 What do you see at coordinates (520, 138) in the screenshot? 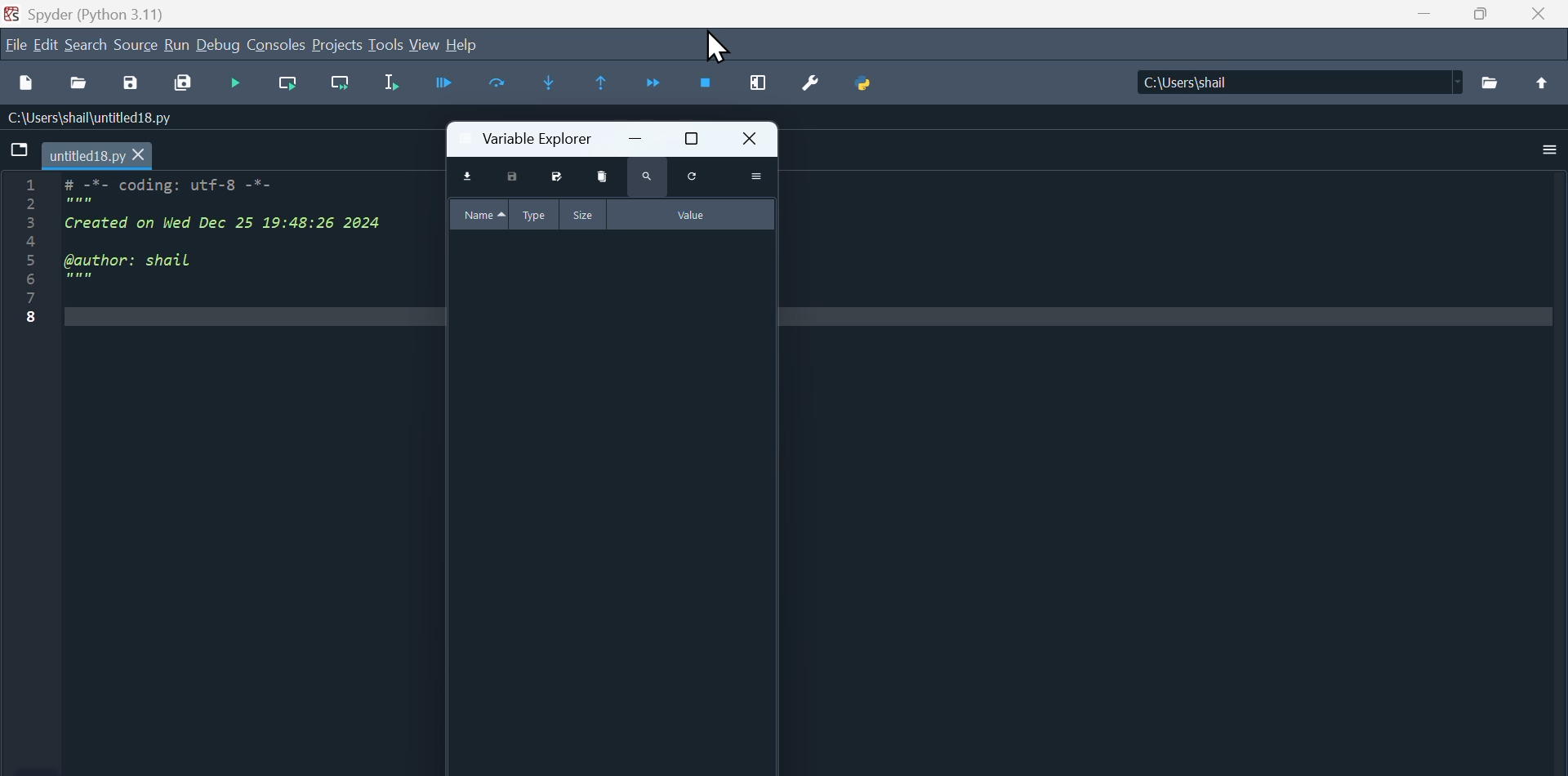
I see `variable explorer` at bounding box center [520, 138].